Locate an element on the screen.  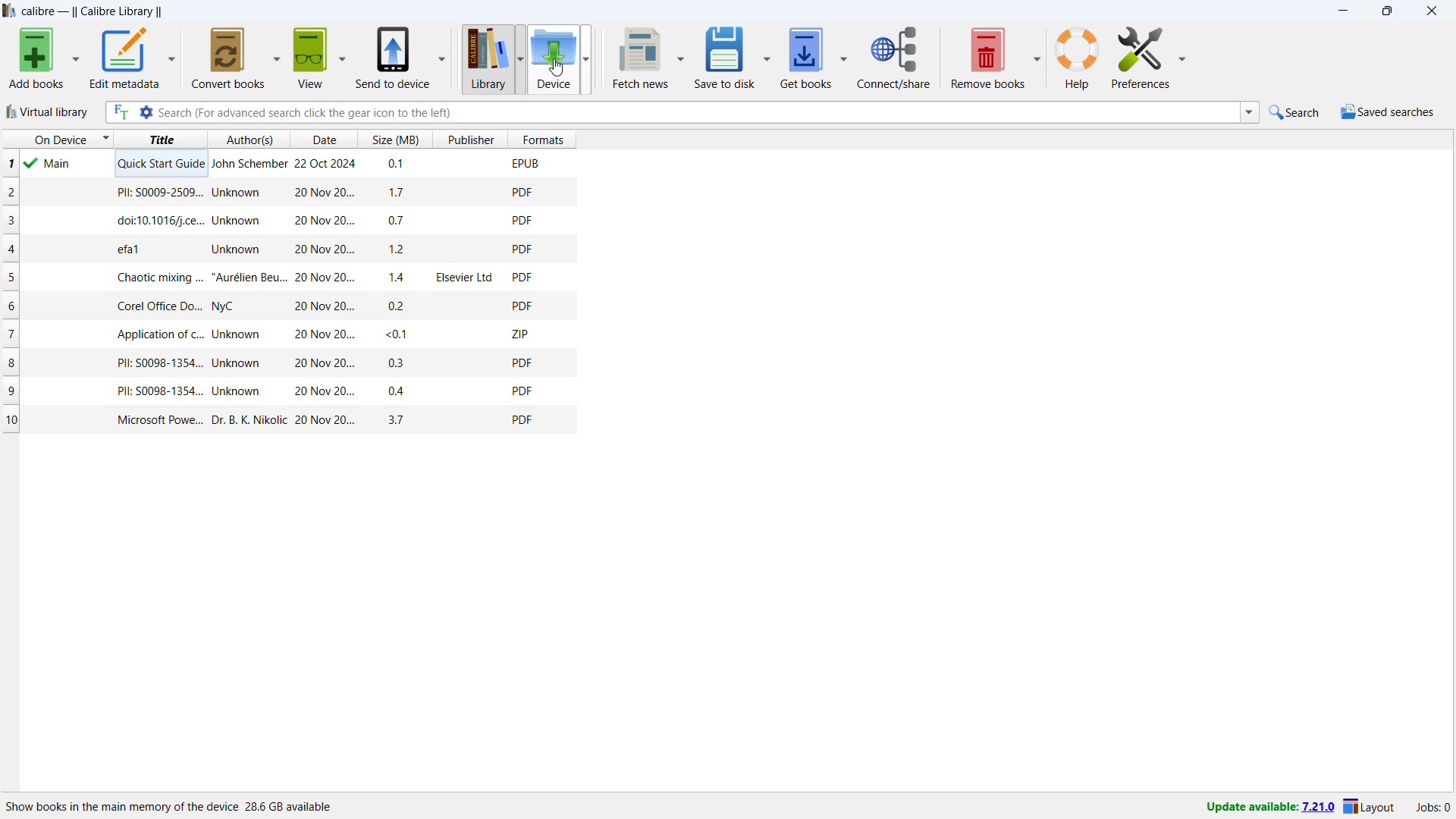
preferences is located at coordinates (1141, 55).